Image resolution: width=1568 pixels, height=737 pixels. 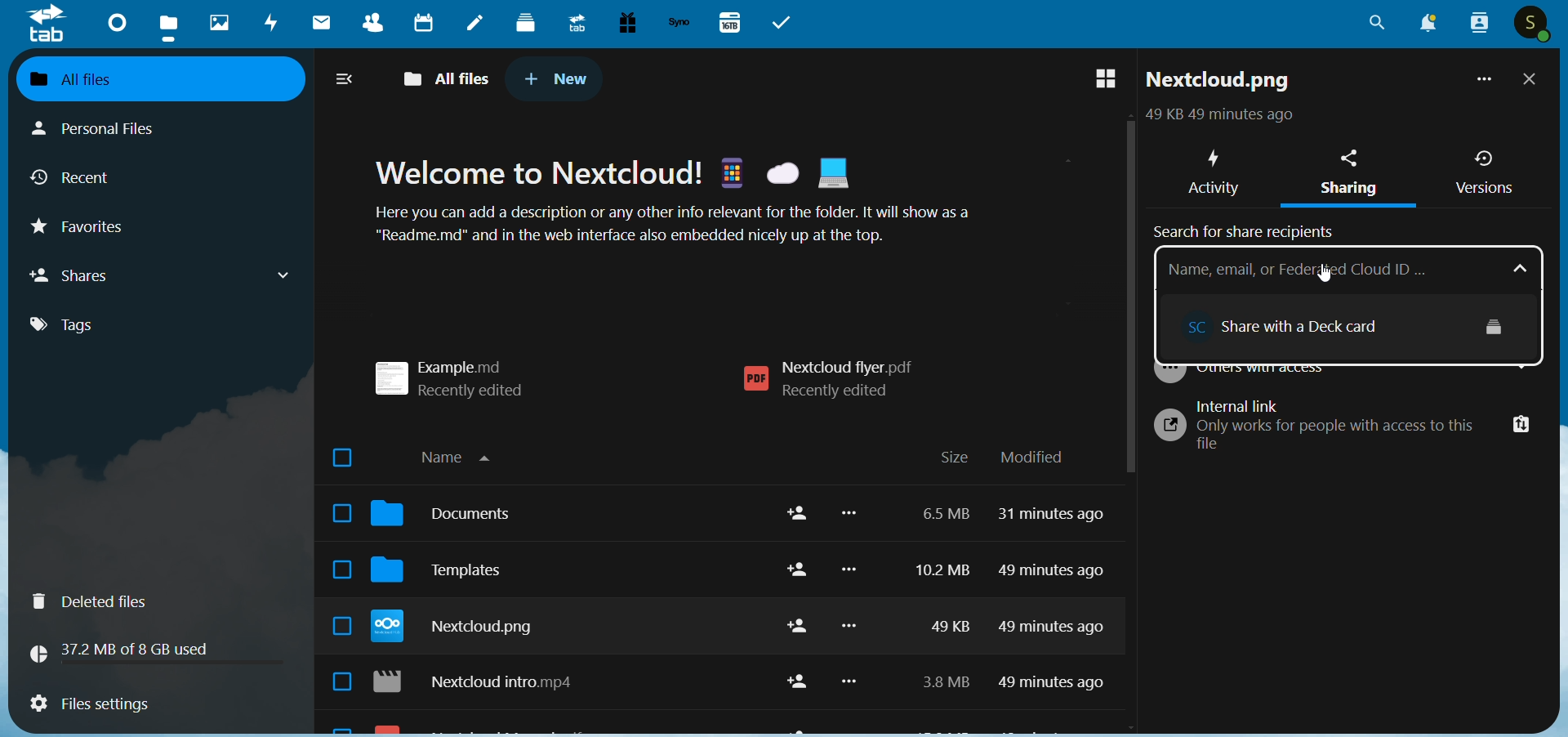 What do you see at coordinates (452, 518) in the screenshot?
I see `document` at bounding box center [452, 518].